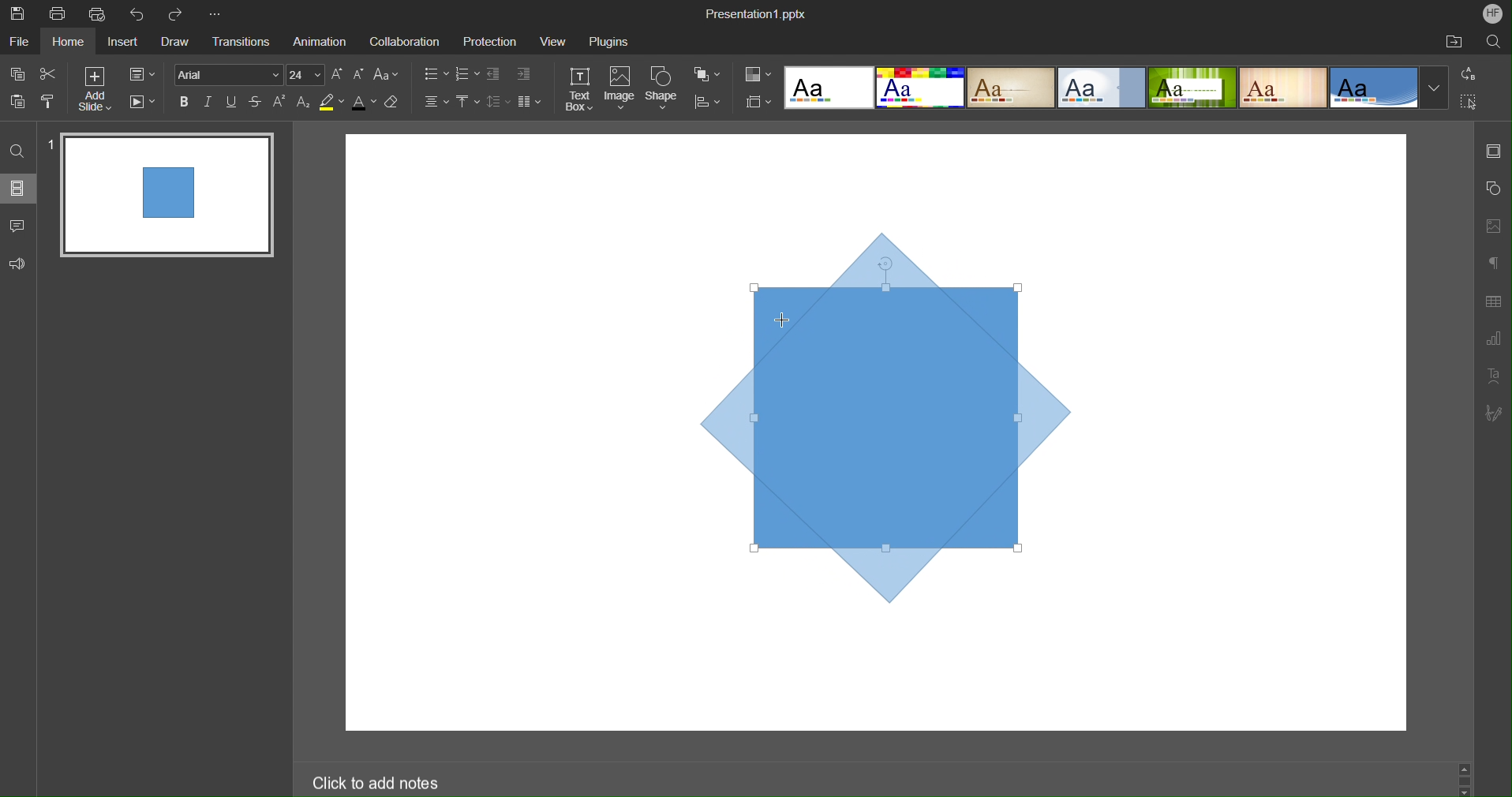  Describe the element at coordinates (1492, 226) in the screenshot. I see `Image Settings` at that location.